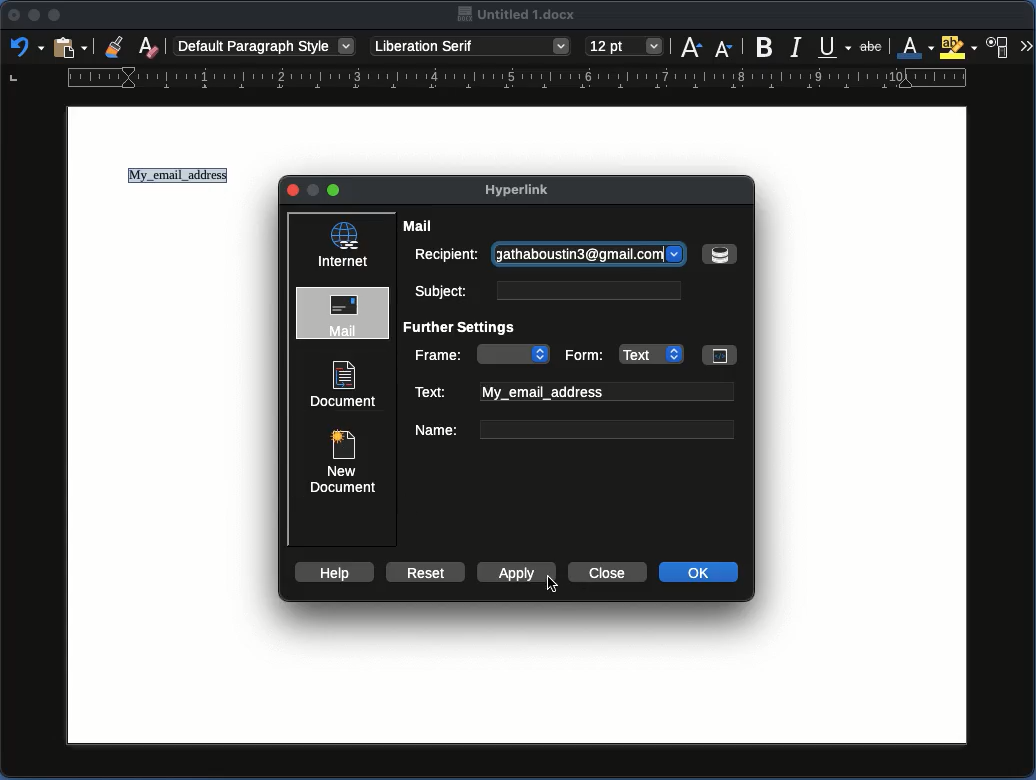 This screenshot has height=780, width=1036. I want to click on Size increase, so click(691, 47).